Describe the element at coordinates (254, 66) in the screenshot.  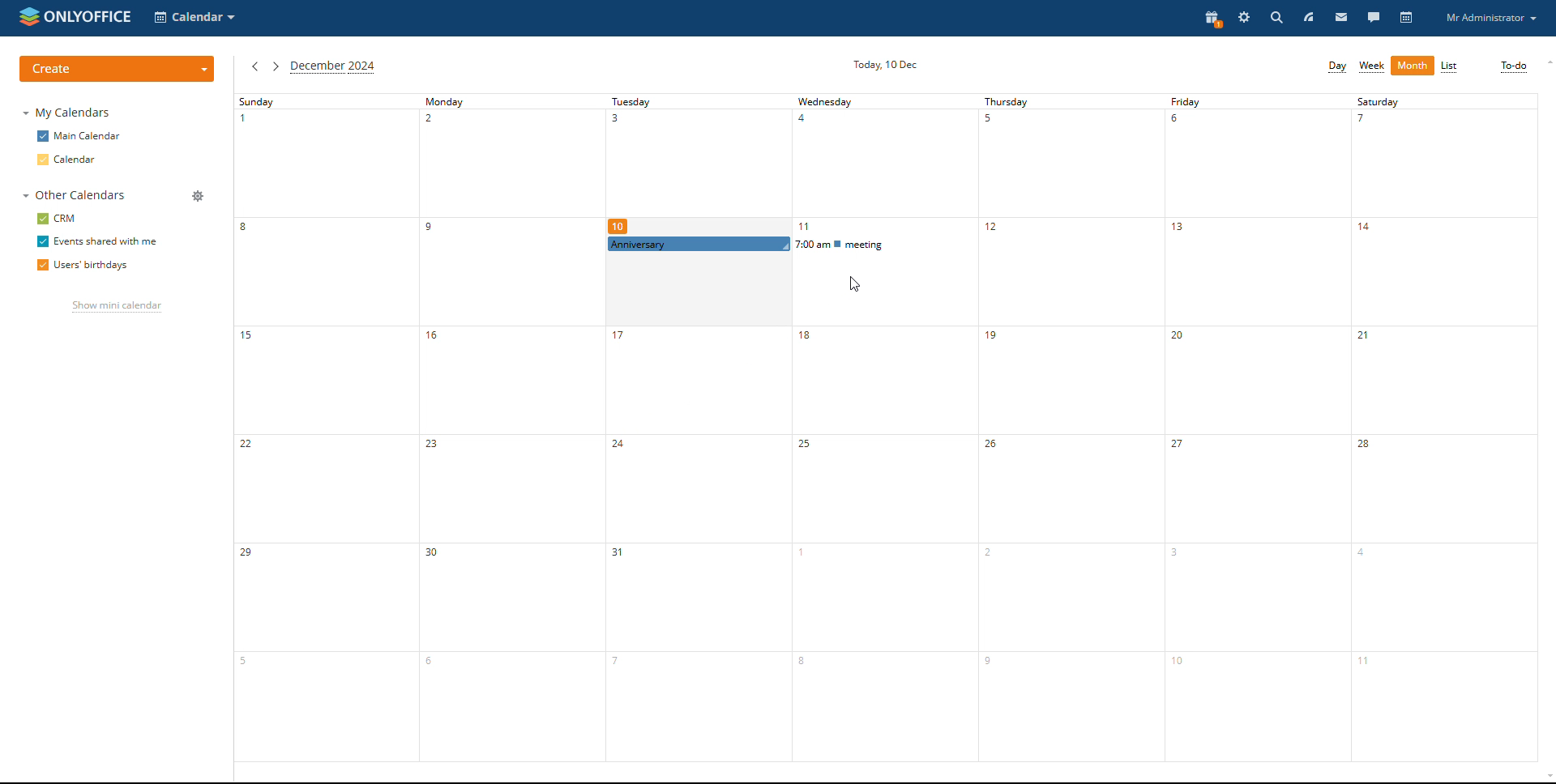
I see `previous month` at that location.